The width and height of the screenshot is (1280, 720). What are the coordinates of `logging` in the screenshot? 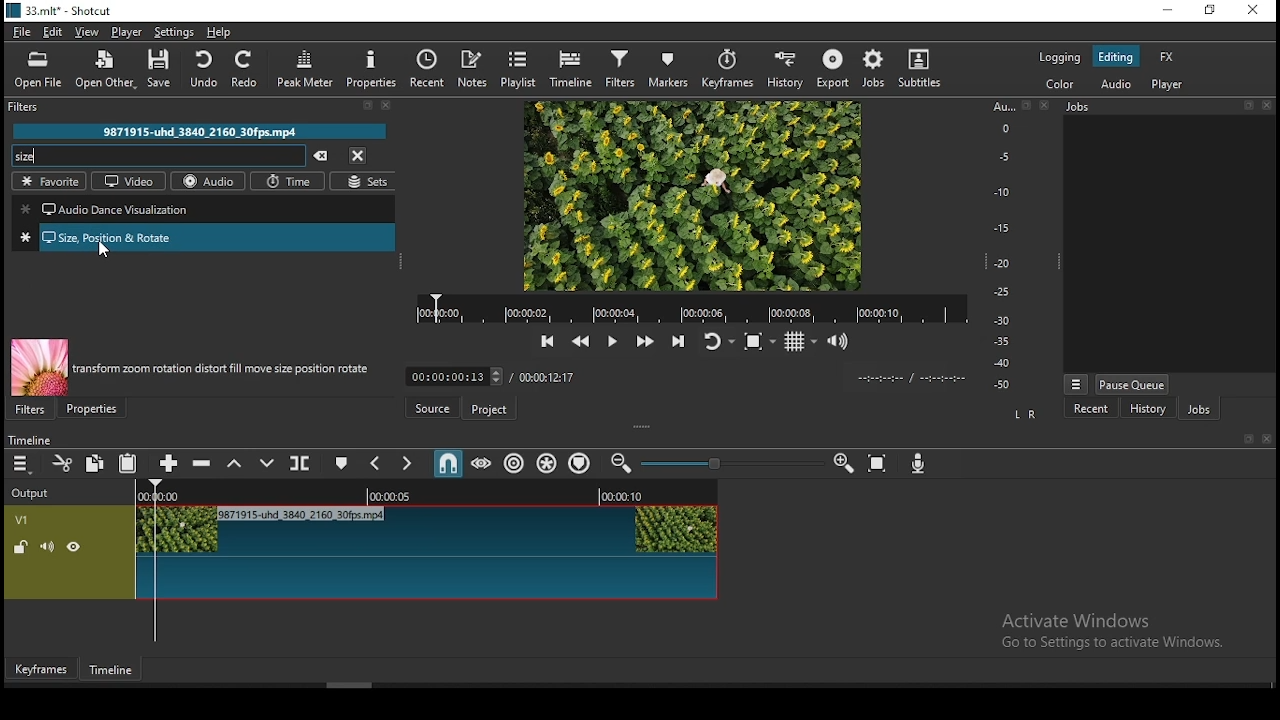 It's located at (1059, 58).